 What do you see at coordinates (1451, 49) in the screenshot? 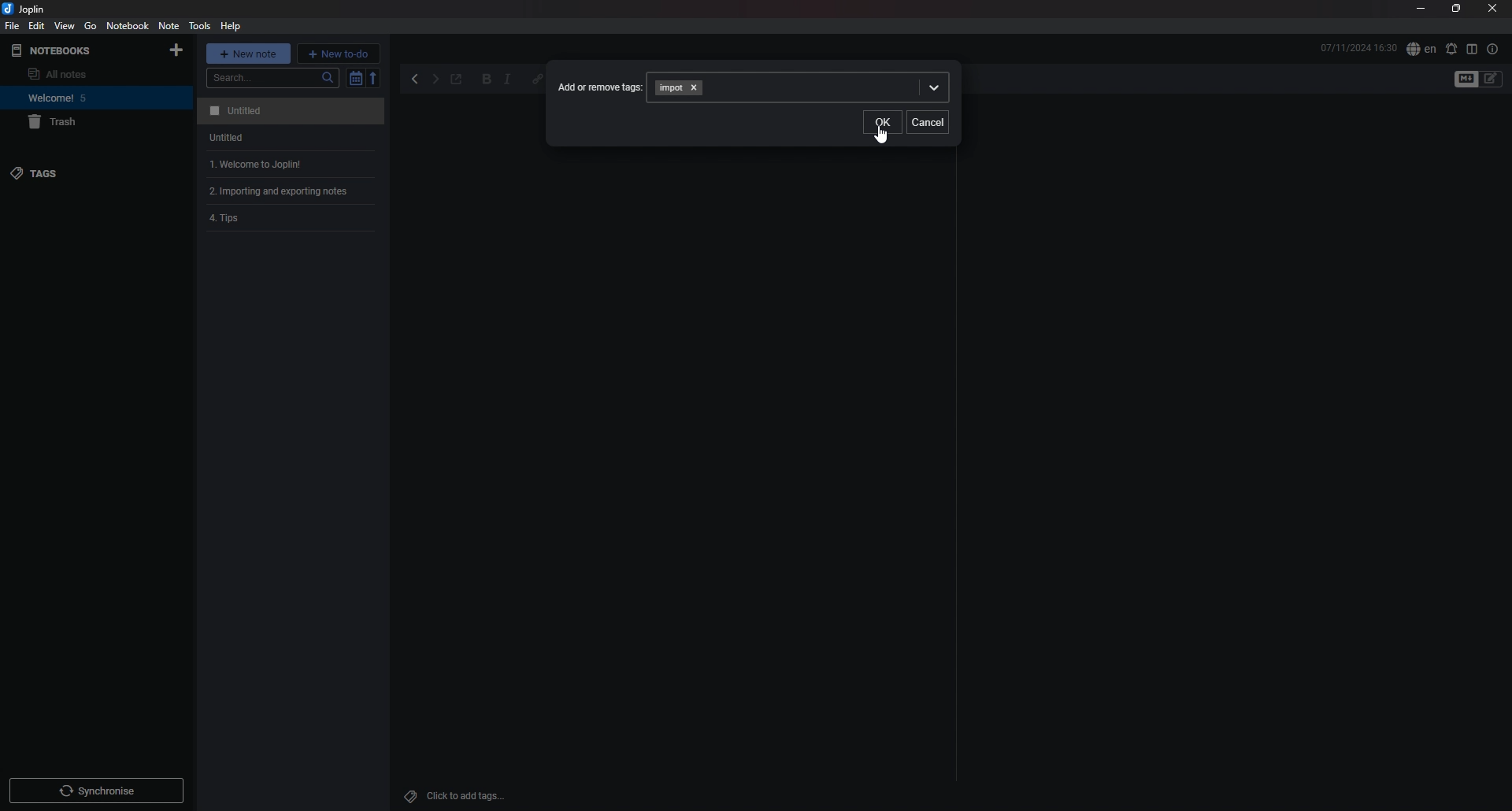
I see `spell check` at bounding box center [1451, 49].